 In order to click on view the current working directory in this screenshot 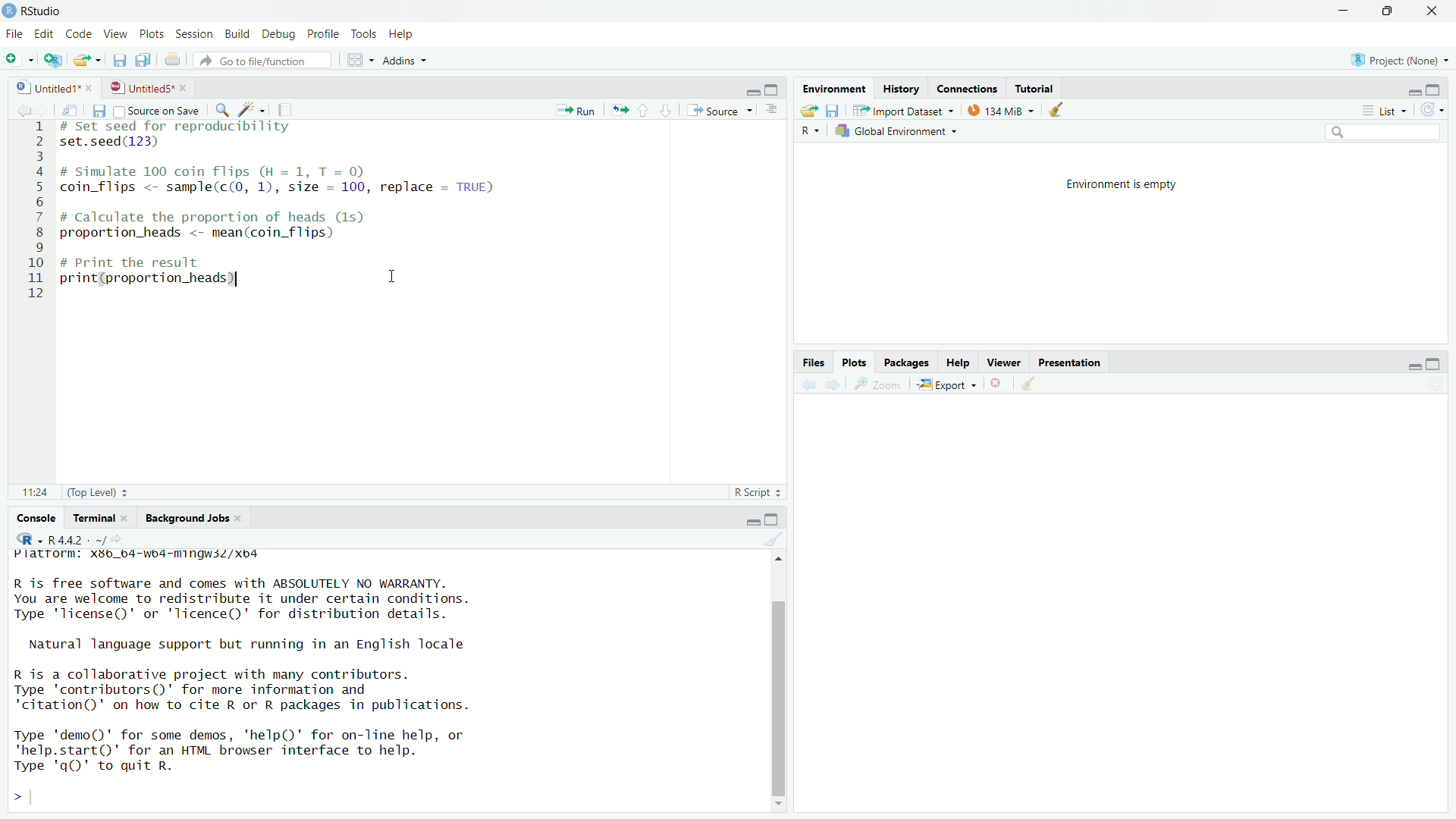, I will do `click(129, 540)`.